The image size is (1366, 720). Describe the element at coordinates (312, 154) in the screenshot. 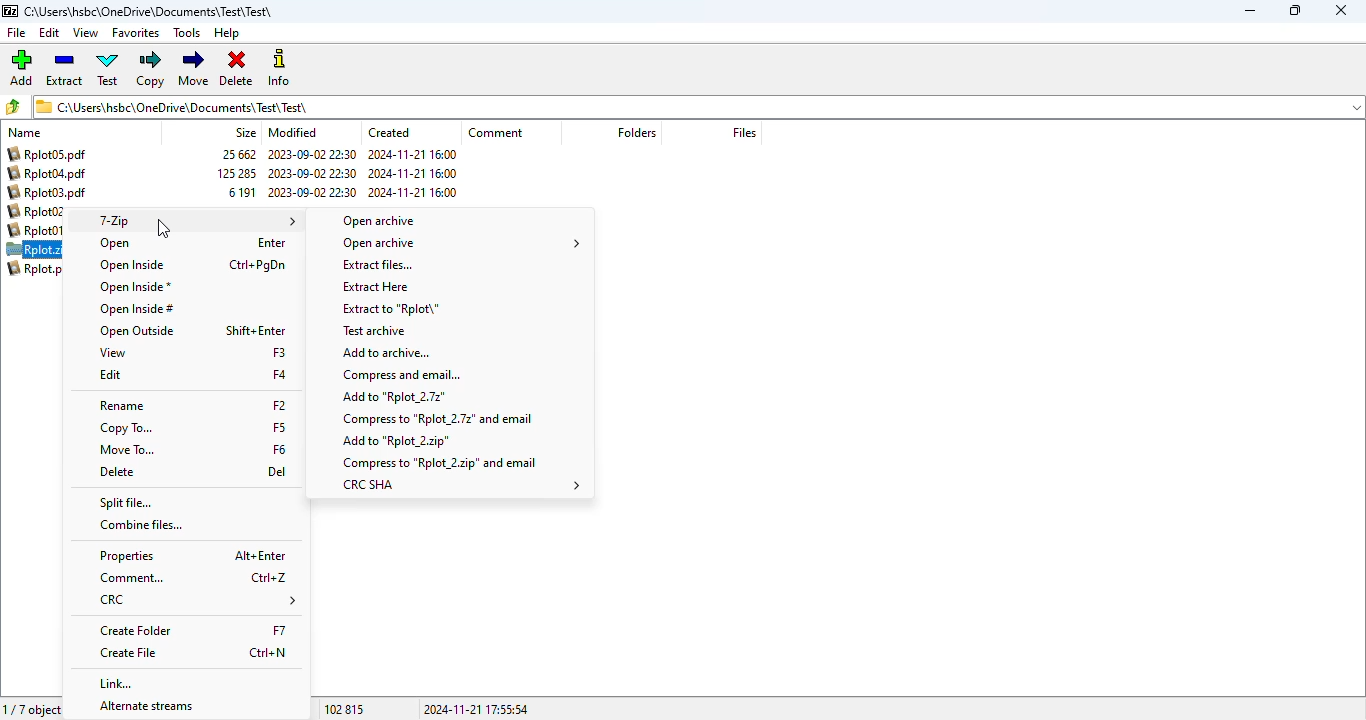

I see `2023-09-02 22:30` at that location.